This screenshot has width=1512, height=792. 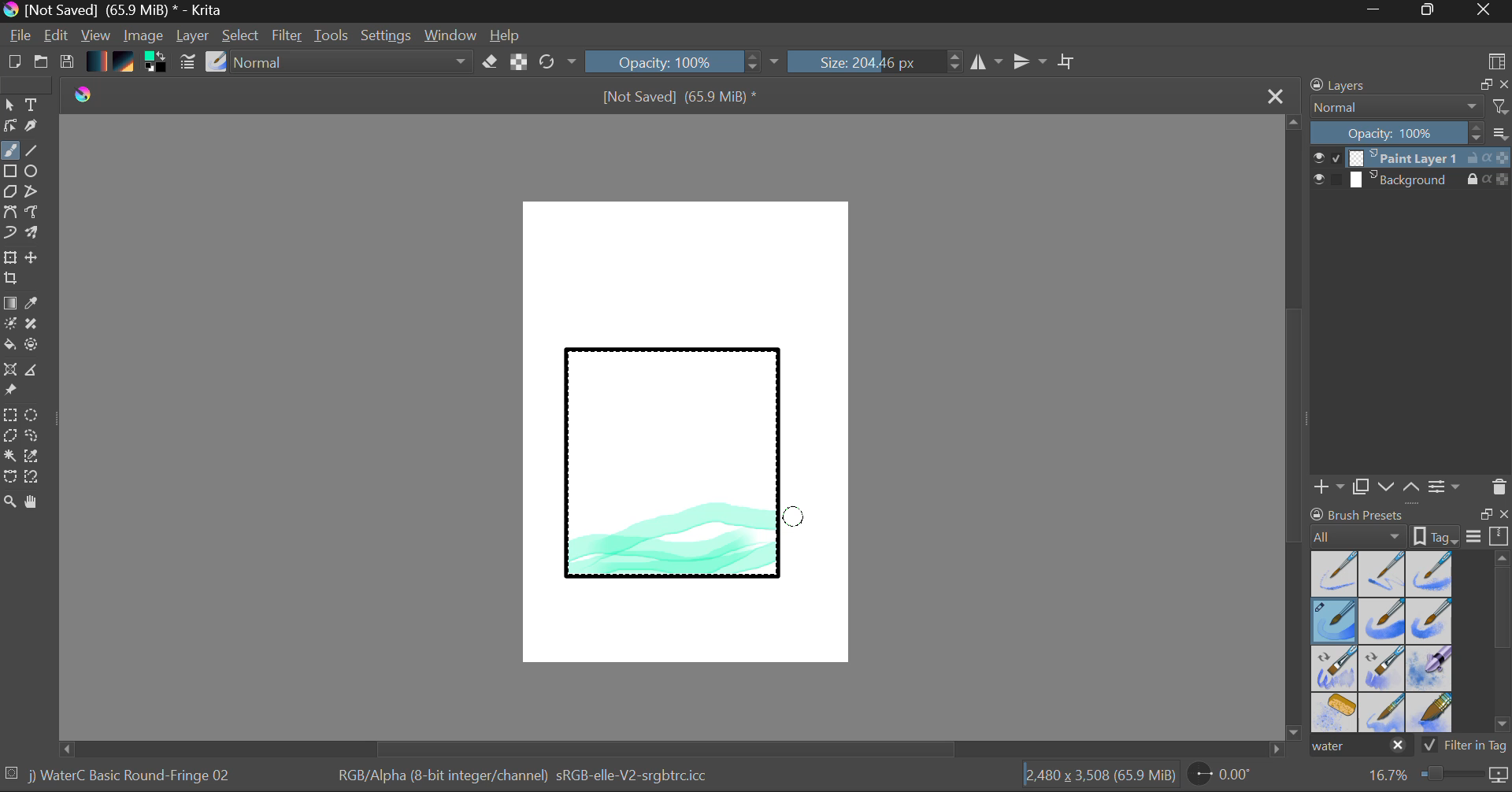 I want to click on Rectangle Selection Tool, so click(x=9, y=417).